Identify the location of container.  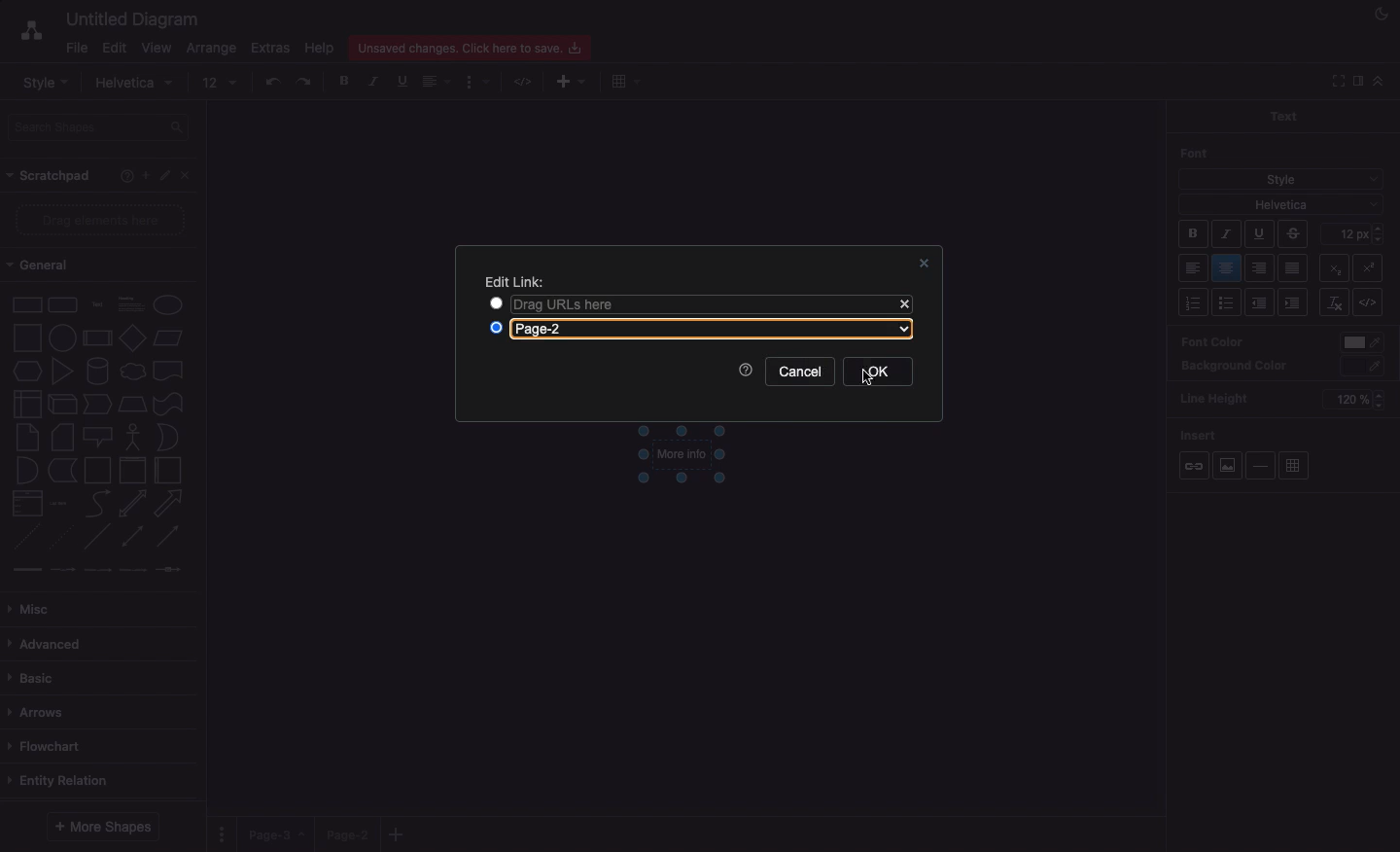
(97, 471).